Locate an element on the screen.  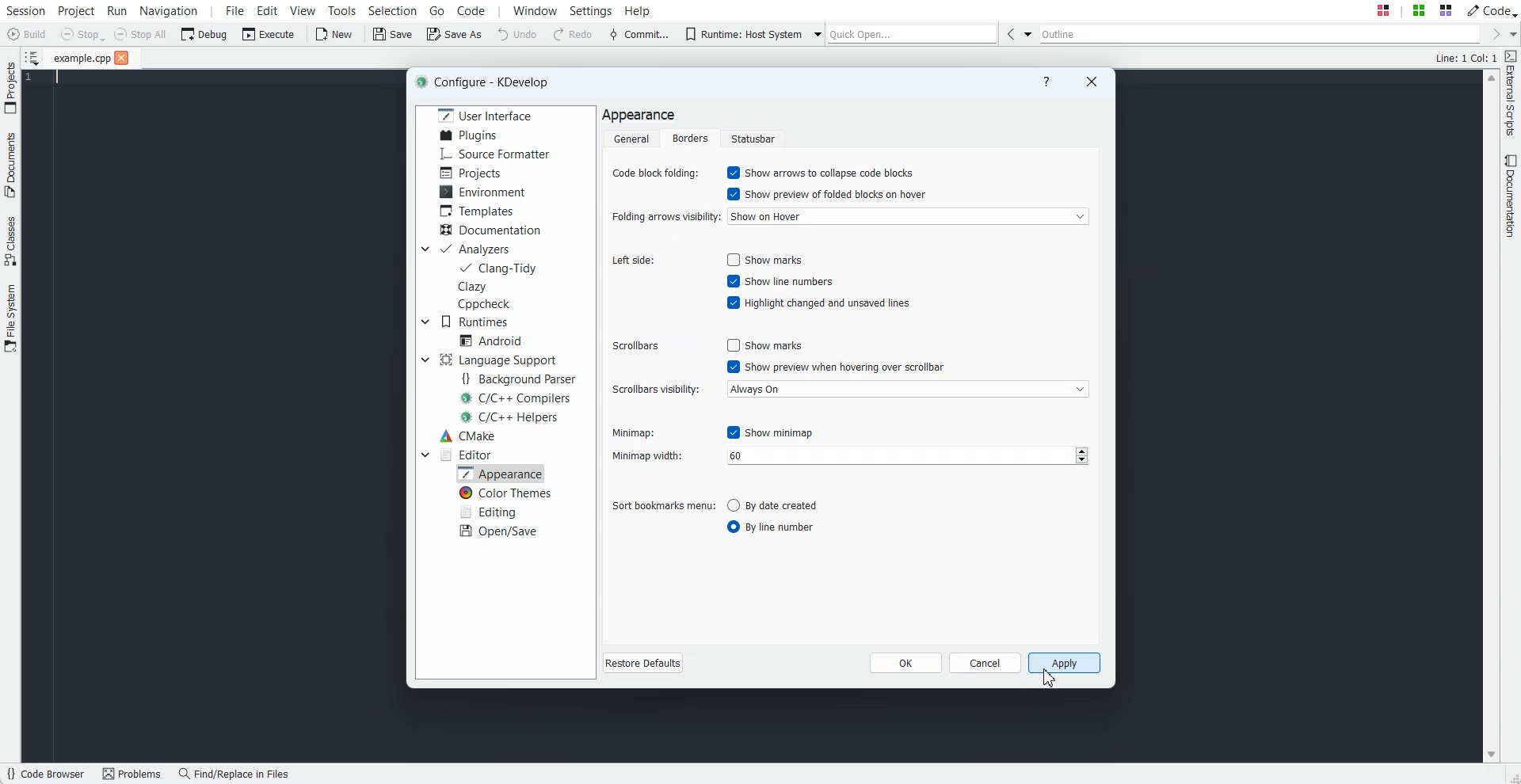
Enable by line number is located at coordinates (781, 527).